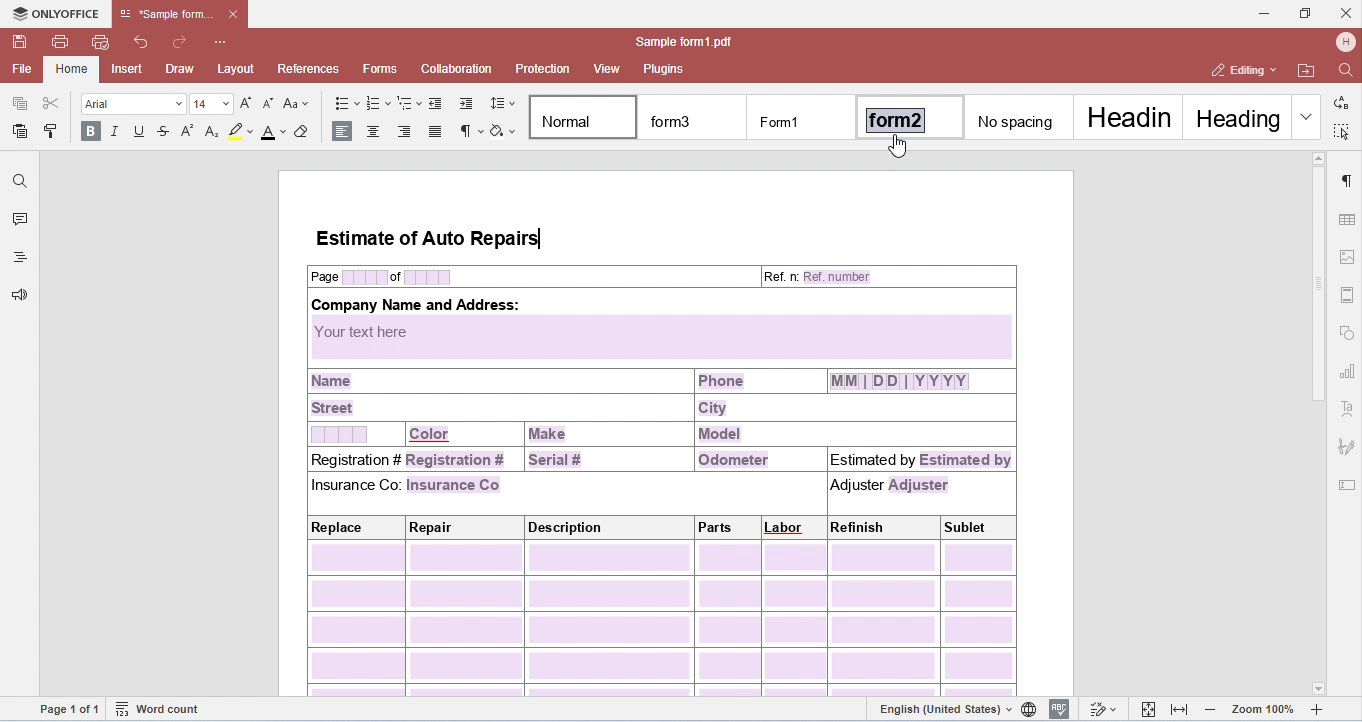  I want to click on spelling, so click(1061, 708).